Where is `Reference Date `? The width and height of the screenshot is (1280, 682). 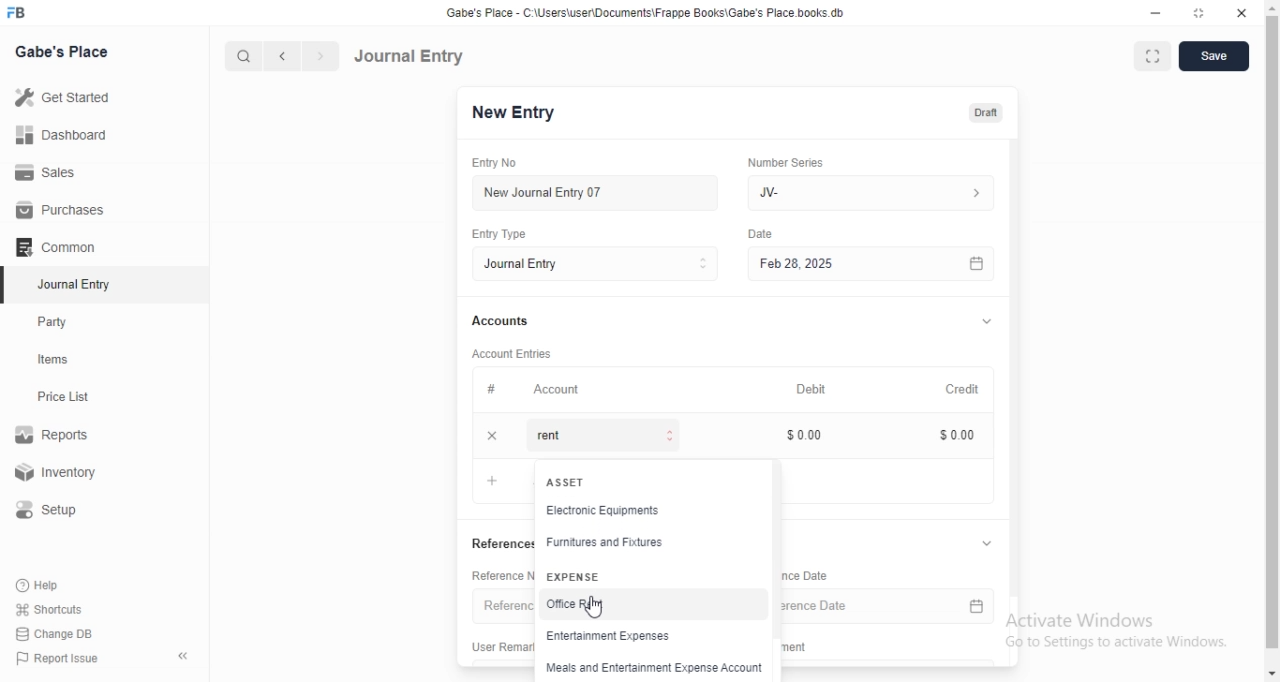 Reference Date  is located at coordinates (893, 605).